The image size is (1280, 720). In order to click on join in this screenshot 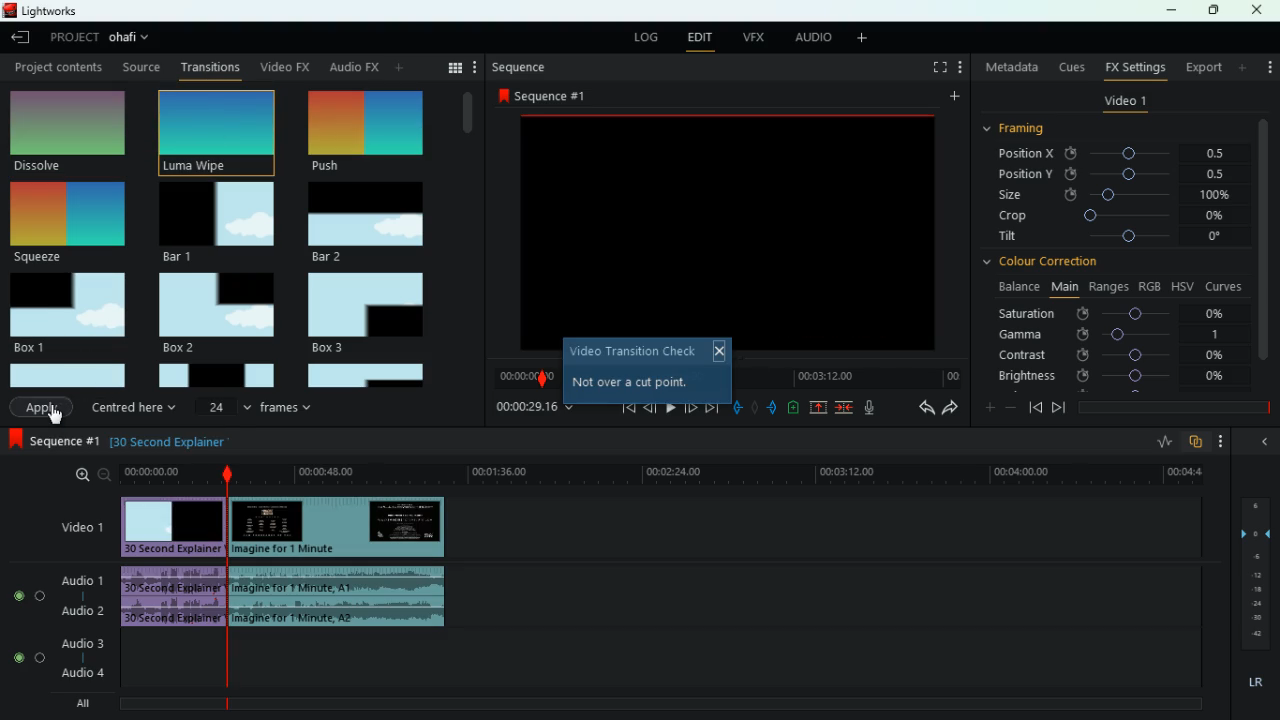, I will do `click(843, 408)`.